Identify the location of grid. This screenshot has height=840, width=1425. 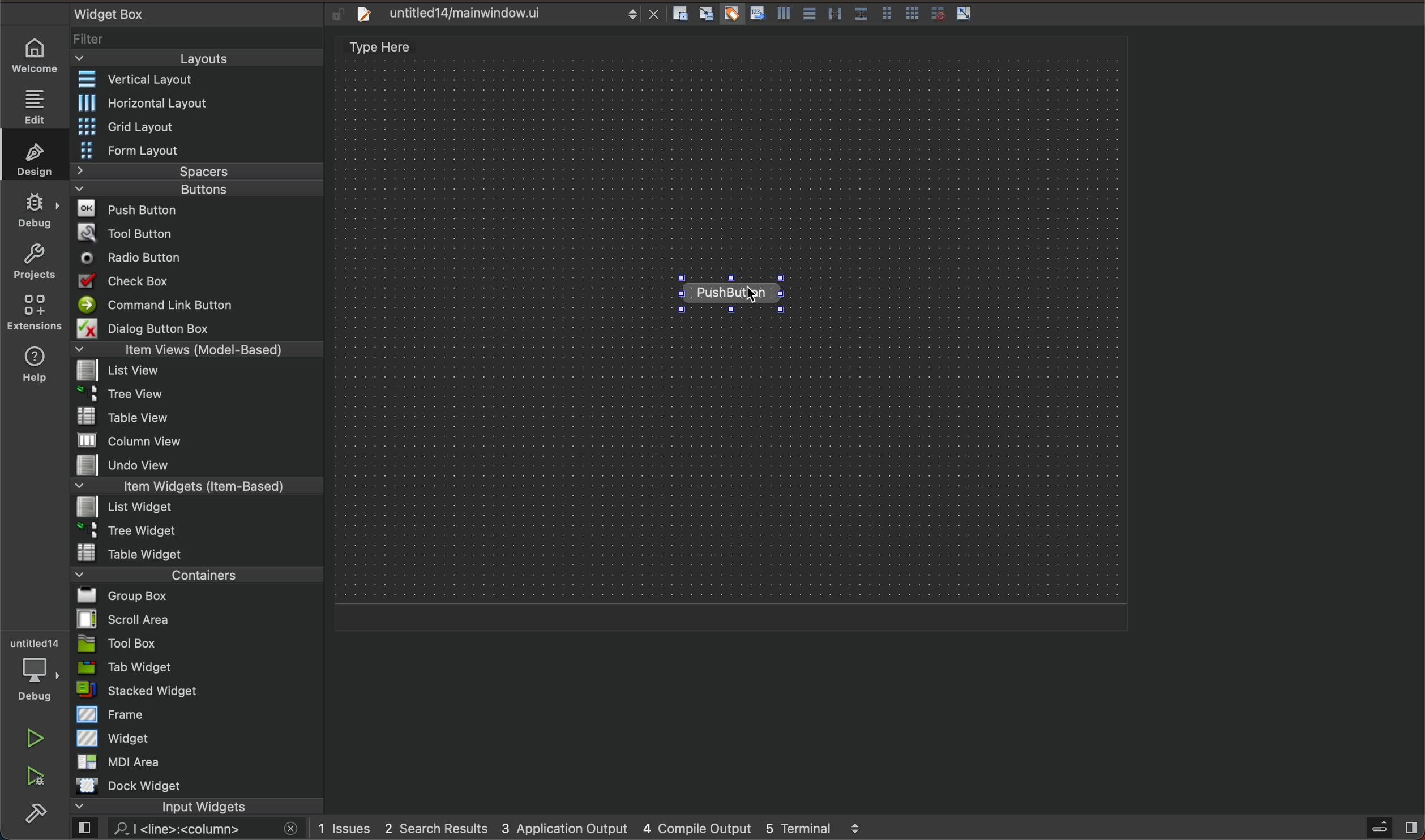
(198, 127).